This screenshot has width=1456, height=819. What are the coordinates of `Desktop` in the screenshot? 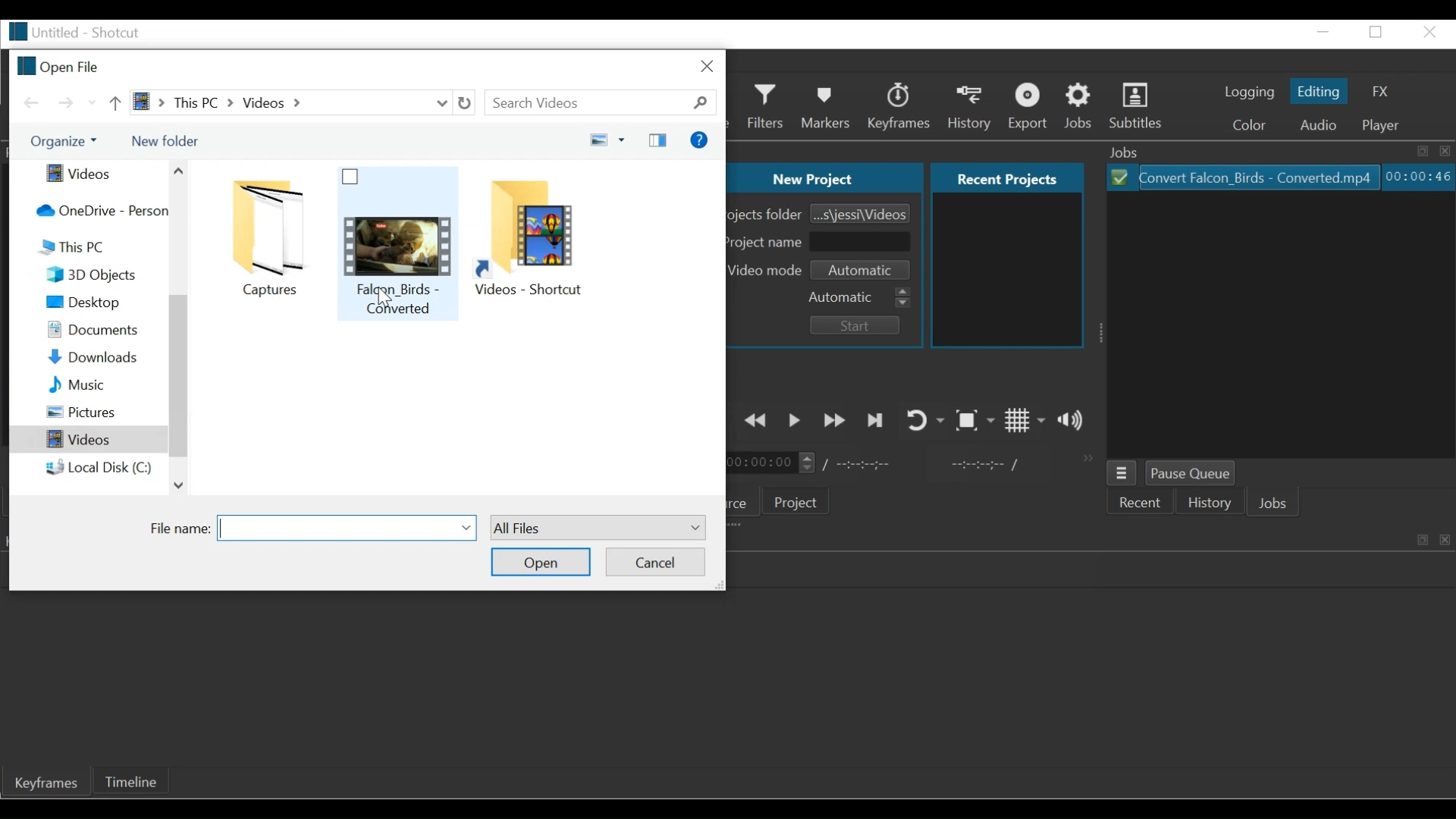 It's located at (99, 303).